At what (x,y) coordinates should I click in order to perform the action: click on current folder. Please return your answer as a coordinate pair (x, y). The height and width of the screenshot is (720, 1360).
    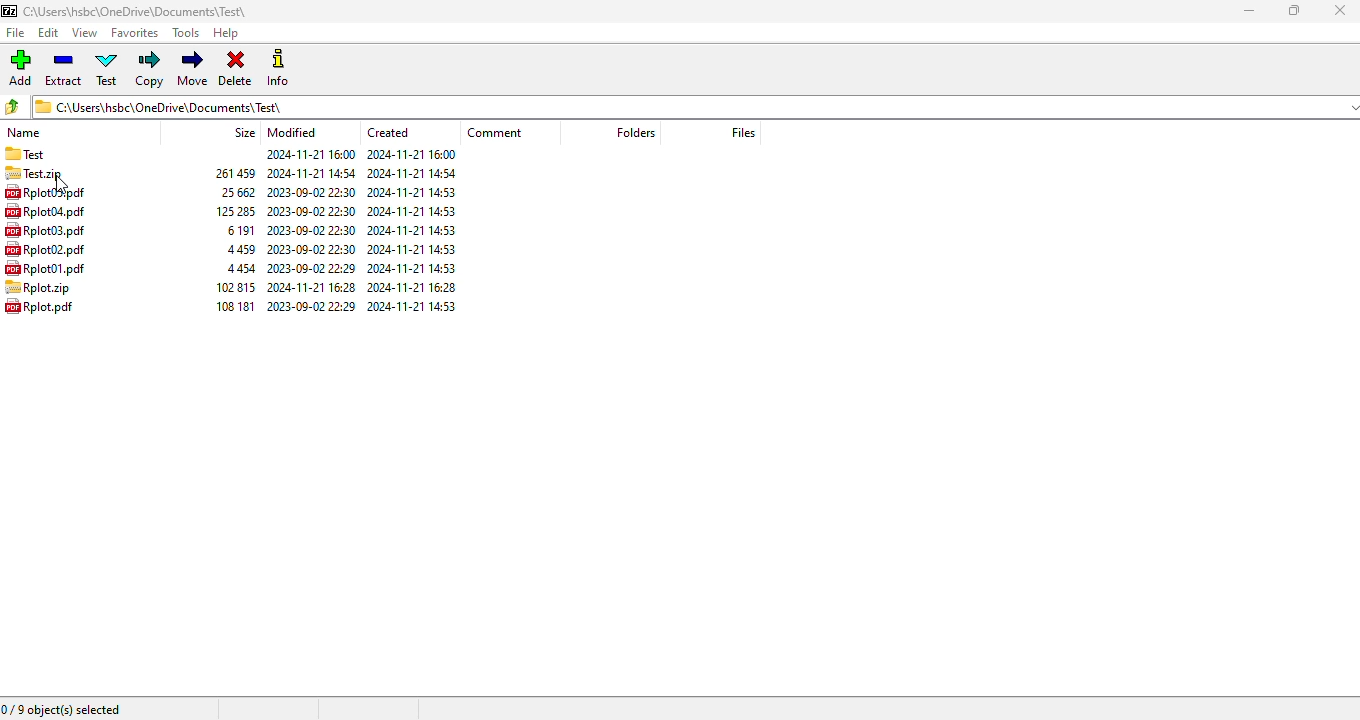
    Looking at the image, I should click on (694, 107).